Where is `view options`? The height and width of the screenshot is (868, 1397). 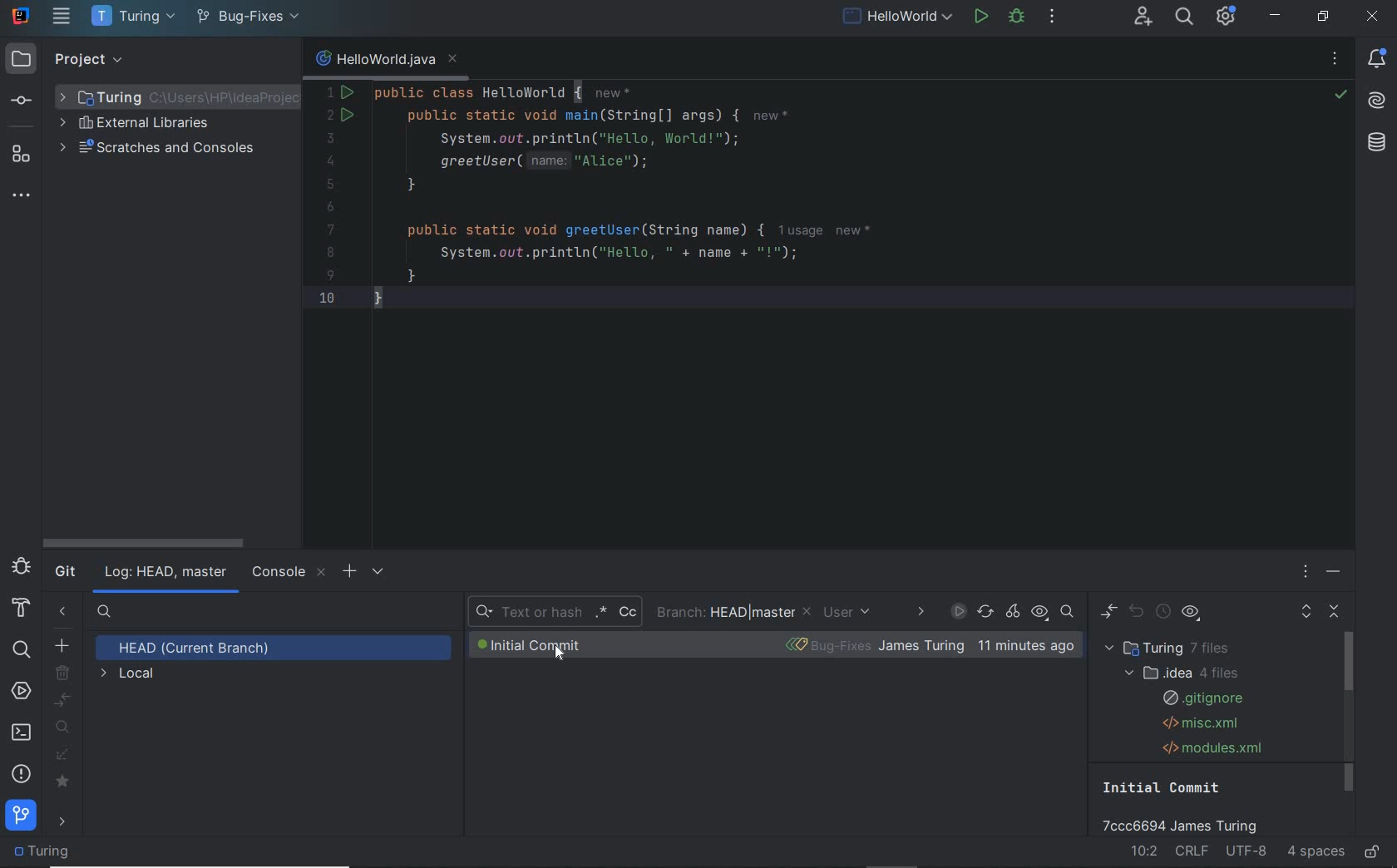 view options is located at coordinates (1039, 613).